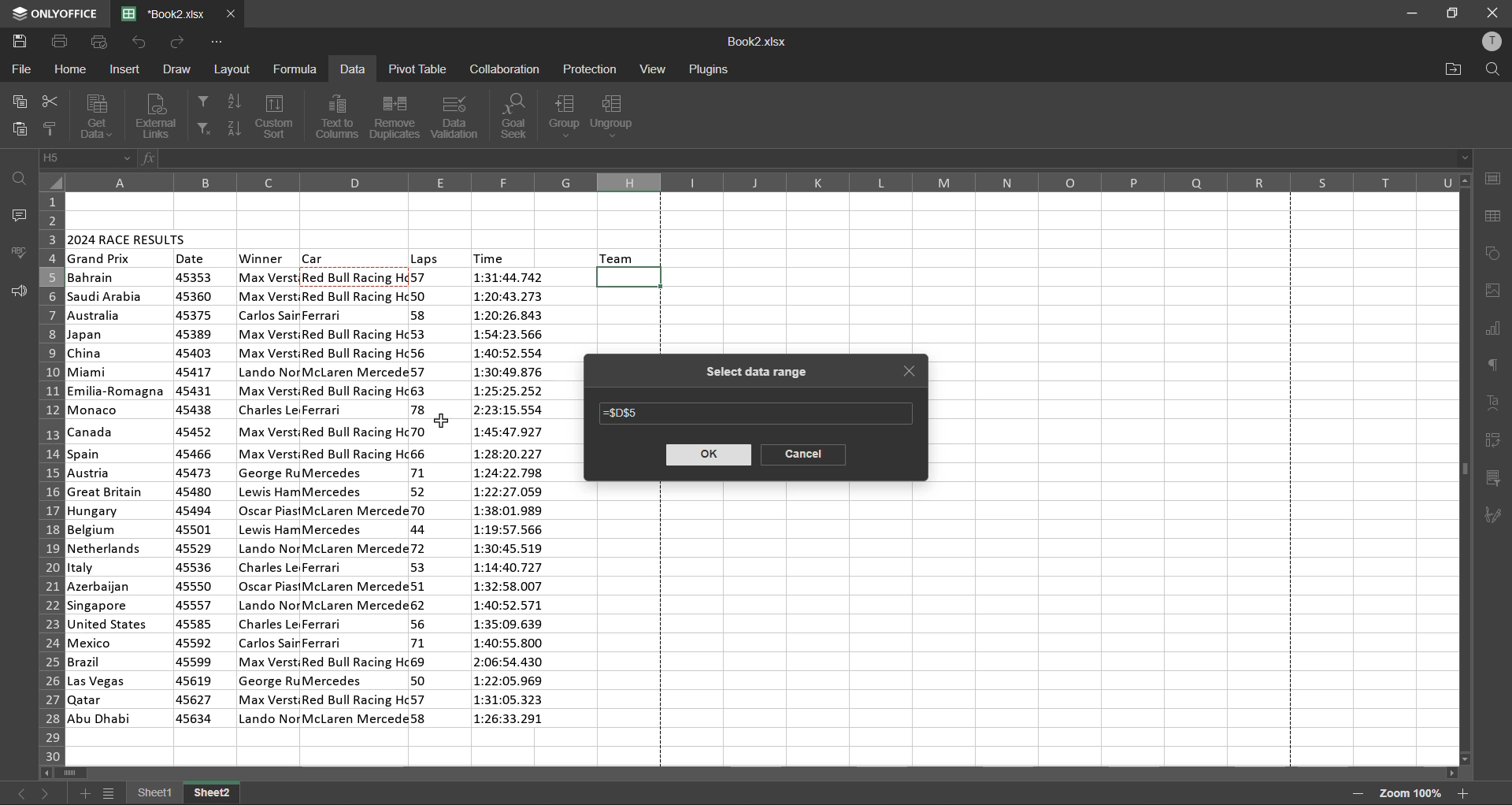 The height and width of the screenshot is (805, 1512). Describe the element at coordinates (234, 126) in the screenshot. I see `sort descending` at that location.